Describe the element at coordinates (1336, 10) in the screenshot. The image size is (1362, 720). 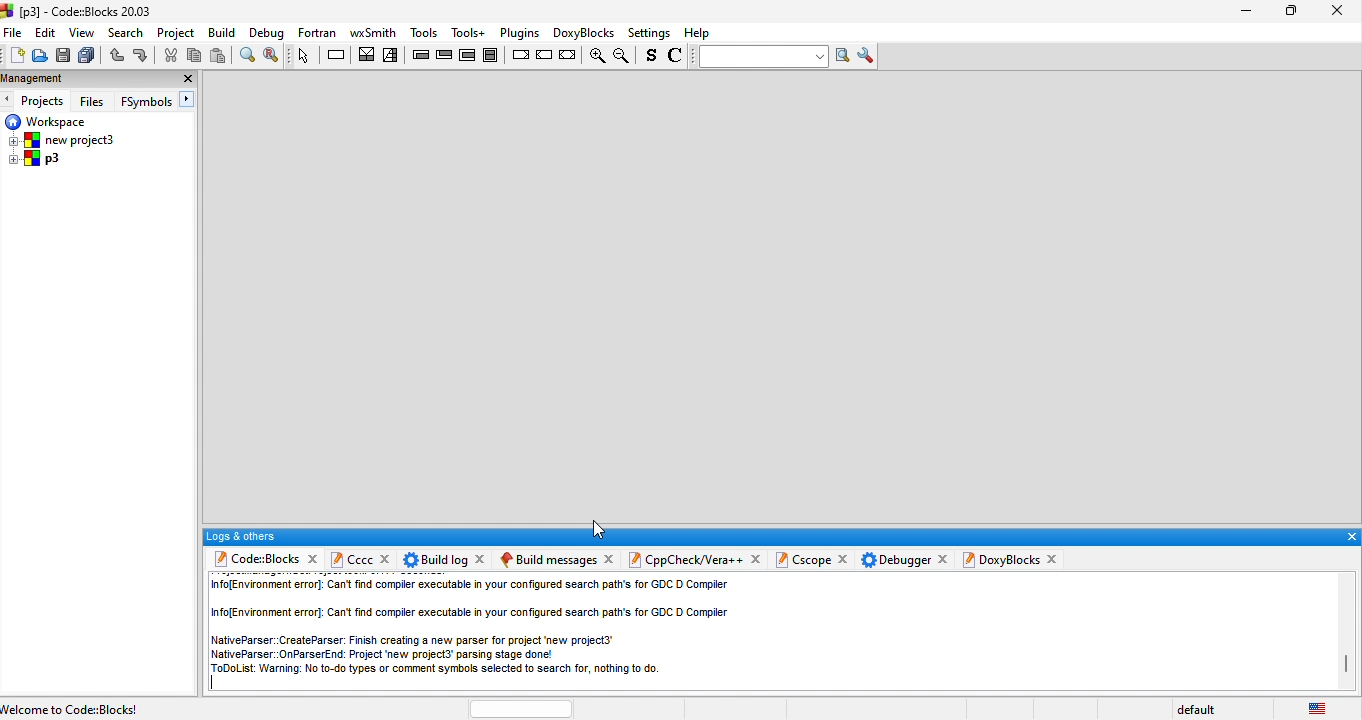
I see `close` at that location.